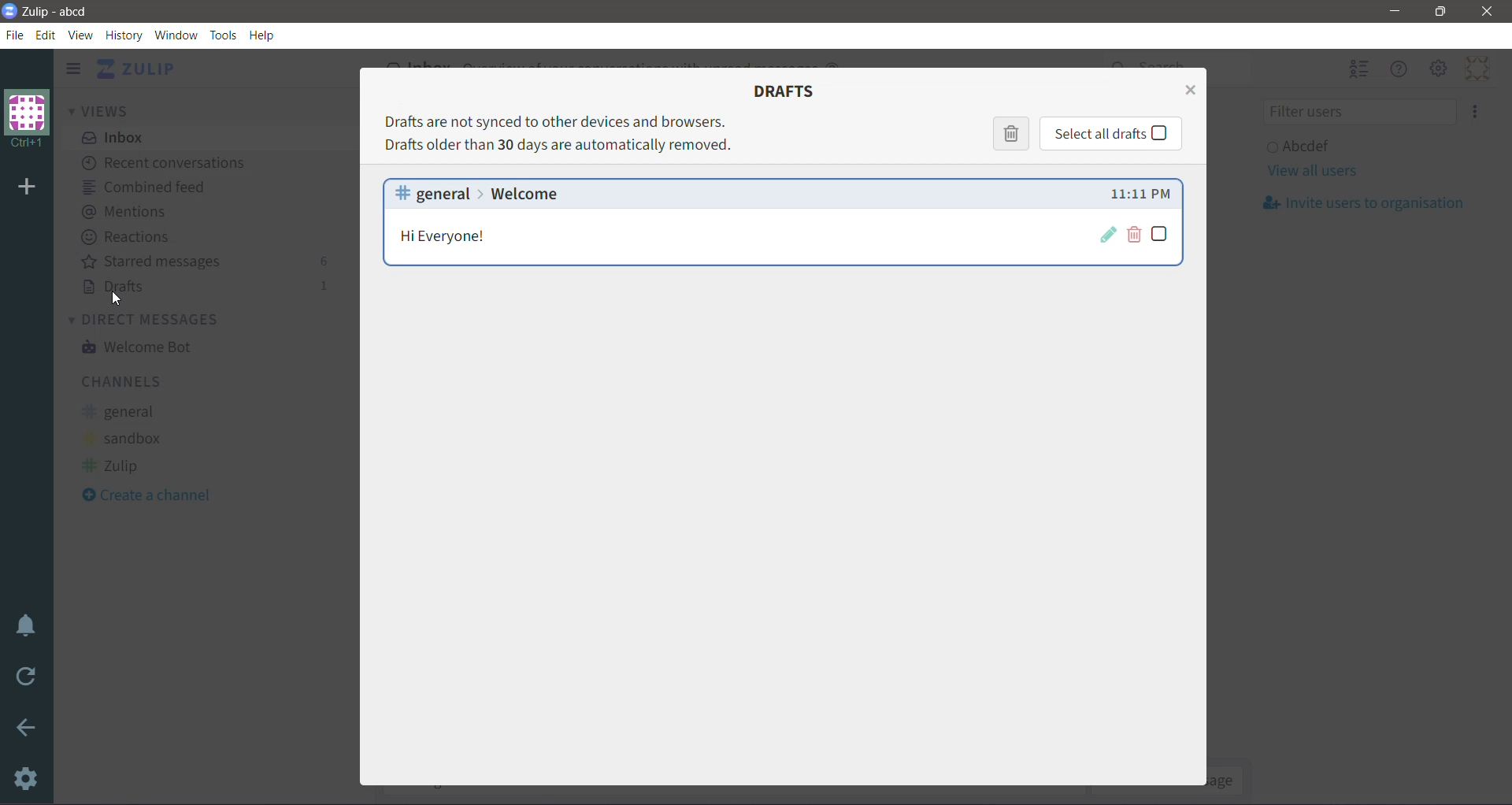 Image resolution: width=1512 pixels, height=805 pixels. What do you see at coordinates (27, 119) in the screenshot?
I see `Organization Name` at bounding box center [27, 119].